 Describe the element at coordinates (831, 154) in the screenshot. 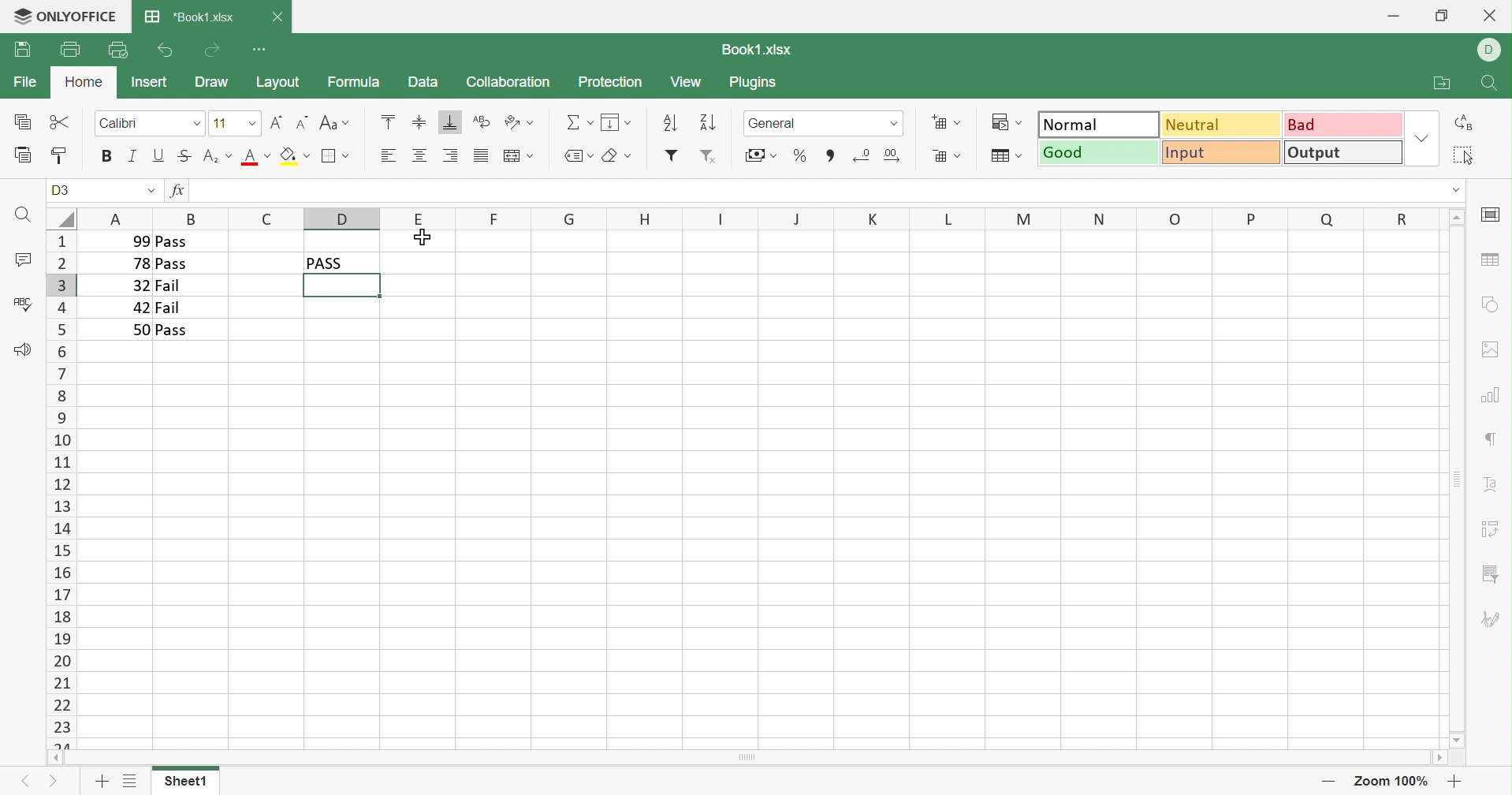

I see `Comma style` at that location.